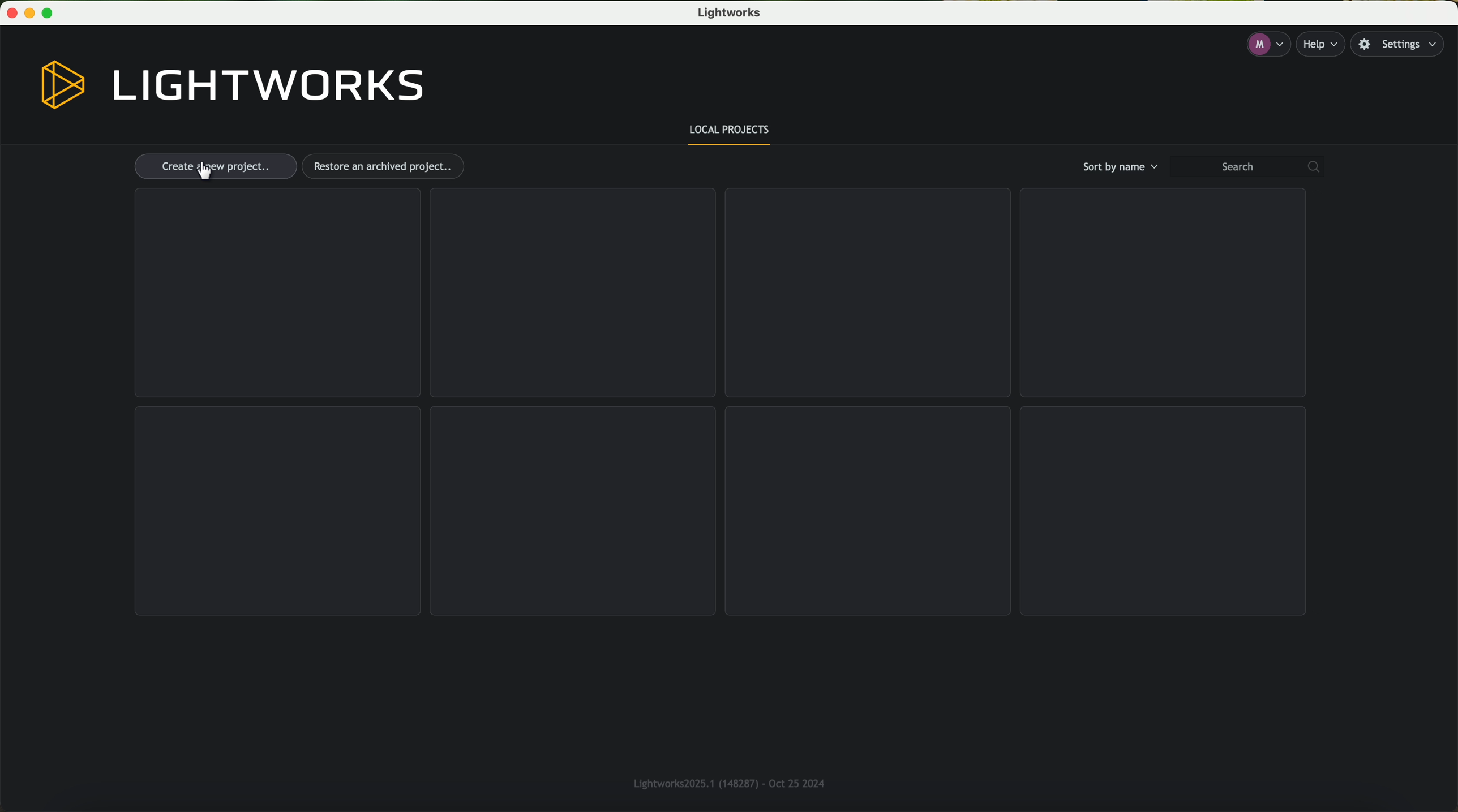 The height and width of the screenshot is (812, 1458). I want to click on grid, so click(1164, 510).